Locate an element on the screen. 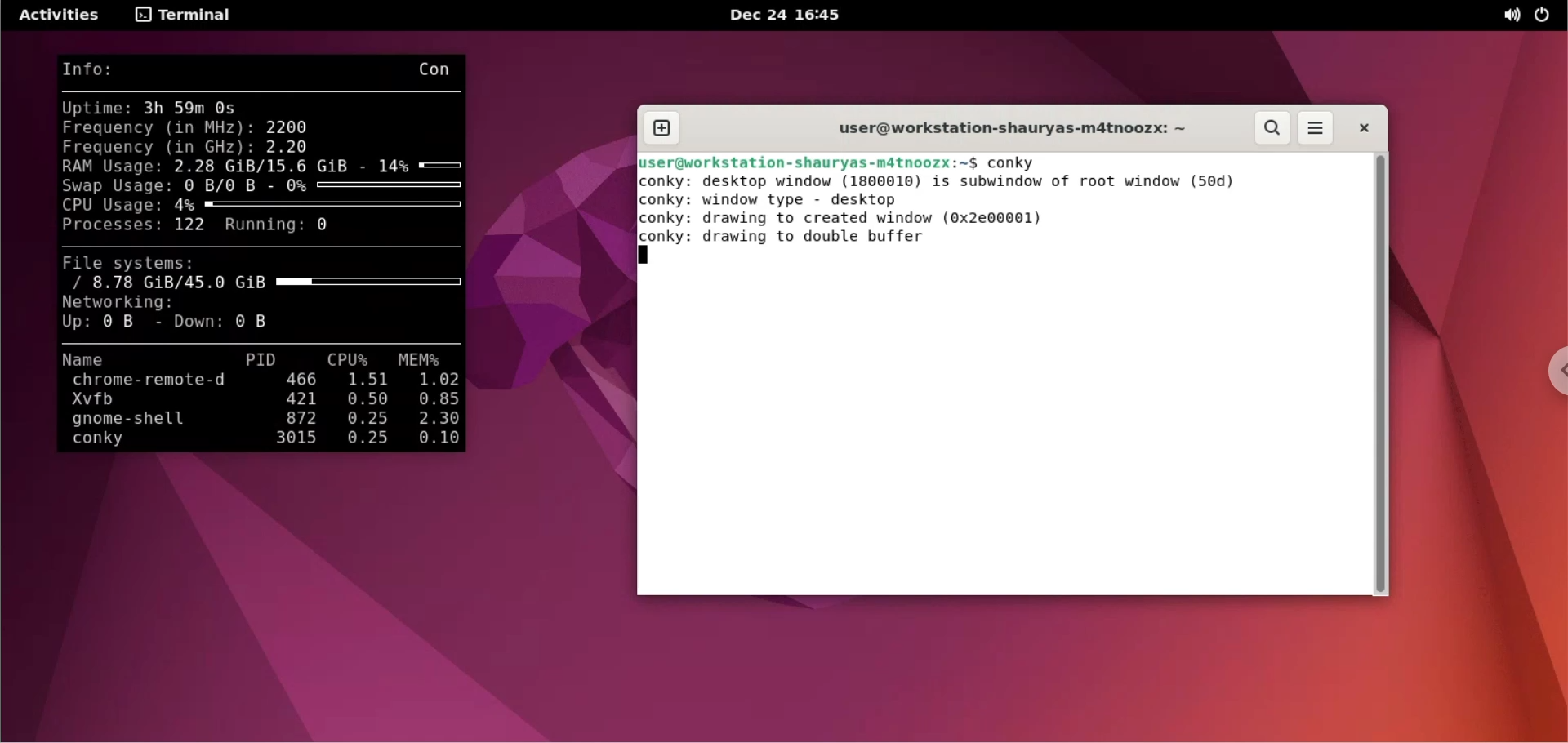 Image resolution: width=1568 pixels, height=743 pixels. conky is located at coordinates (123, 443).